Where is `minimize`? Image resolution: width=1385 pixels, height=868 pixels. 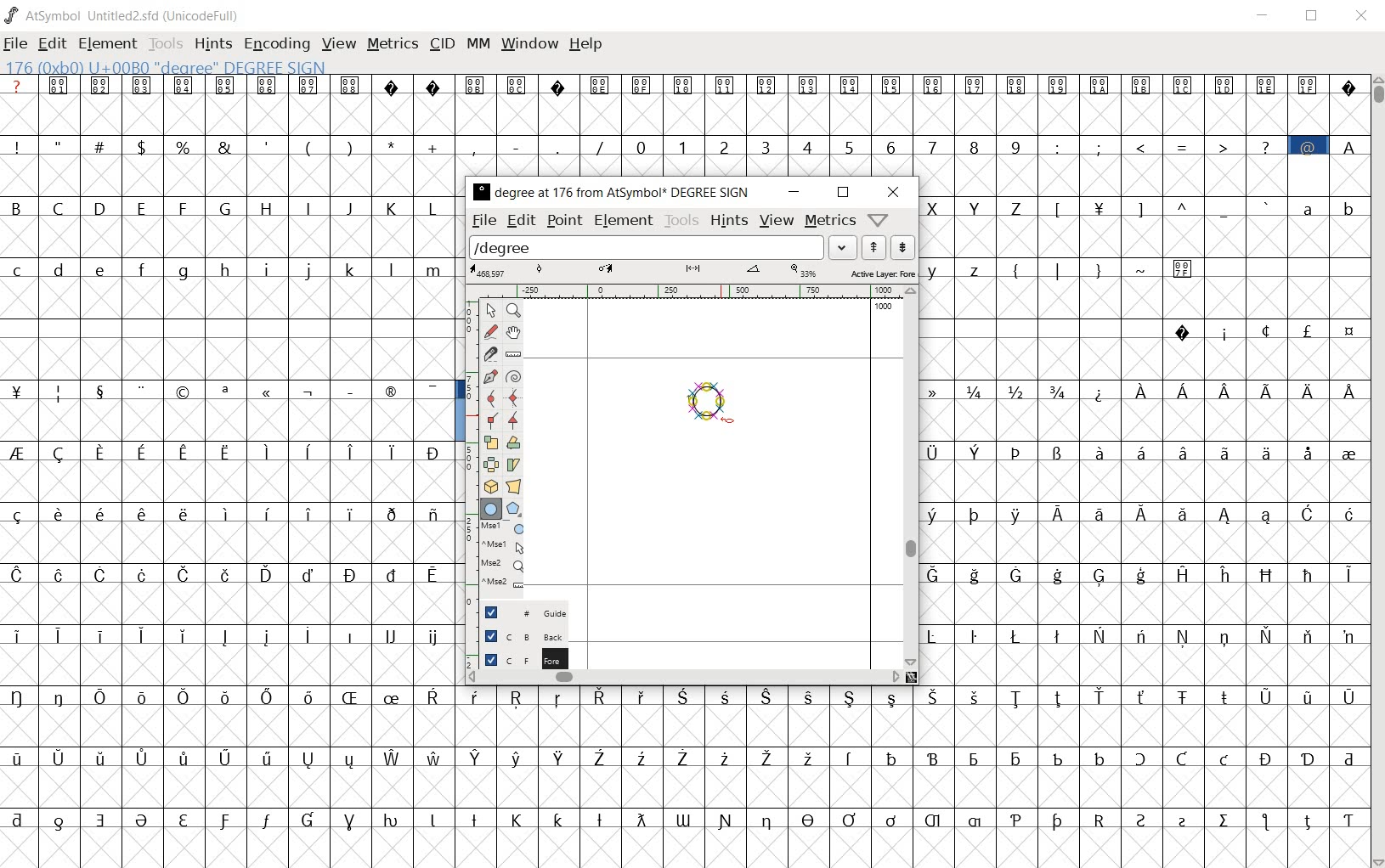 minimize is located at coordinates (792, 192).